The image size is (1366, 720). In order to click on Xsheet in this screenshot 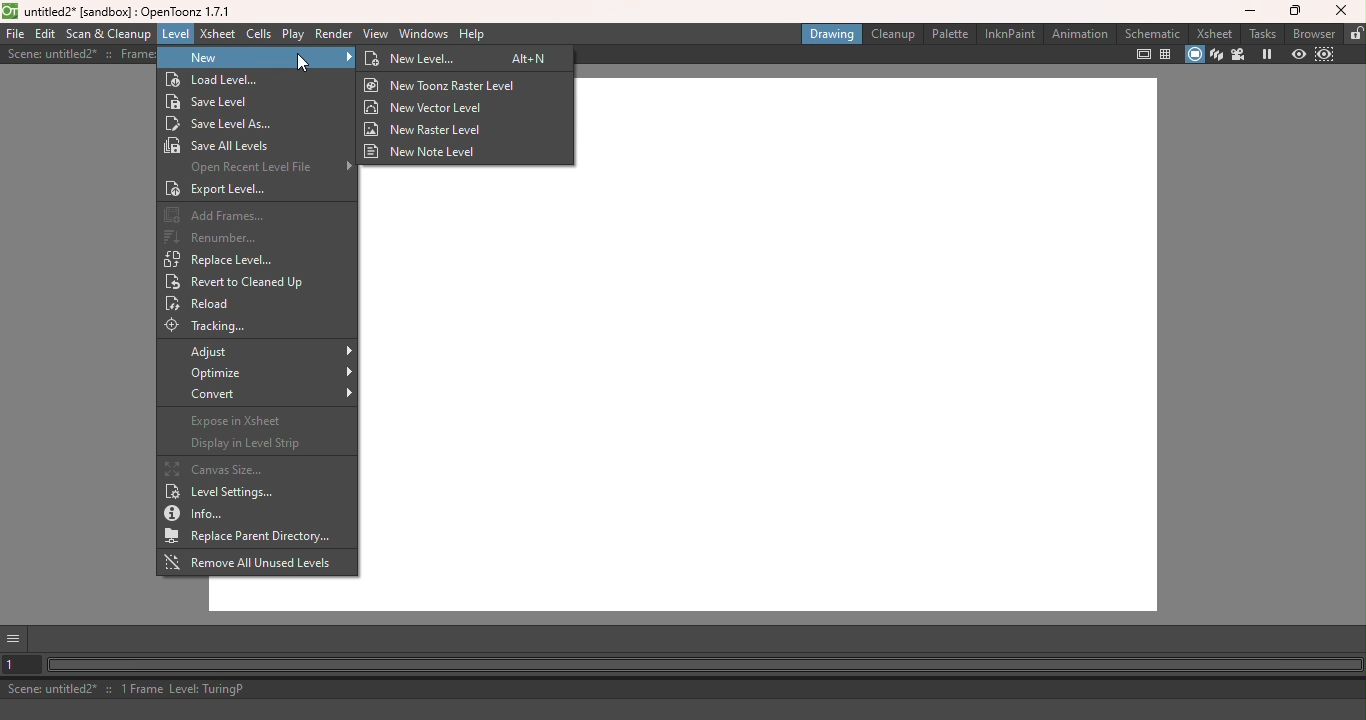, I will do `click(218, 34)`.